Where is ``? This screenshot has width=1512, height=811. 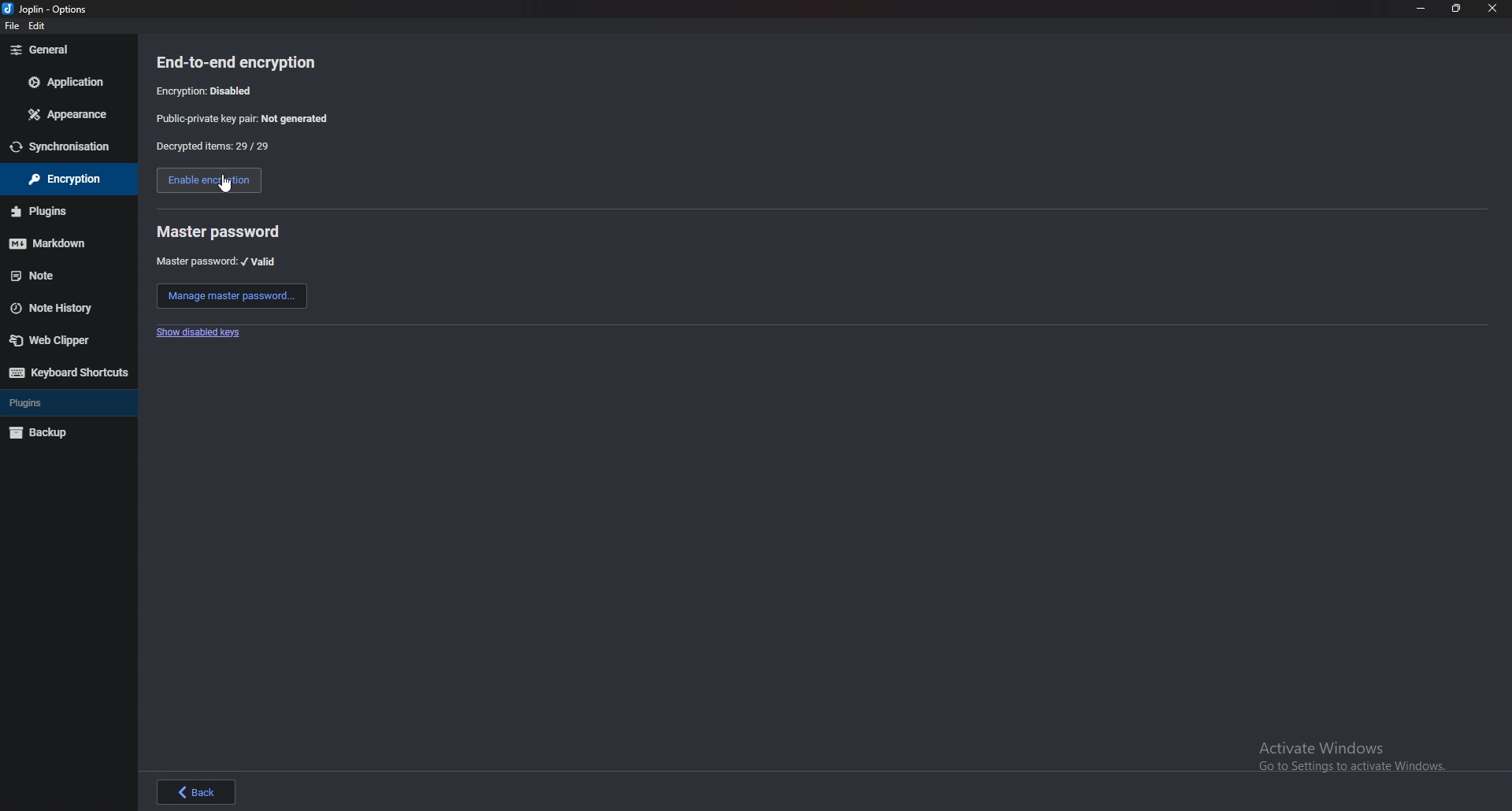
 is located at coordinates (43, 213).